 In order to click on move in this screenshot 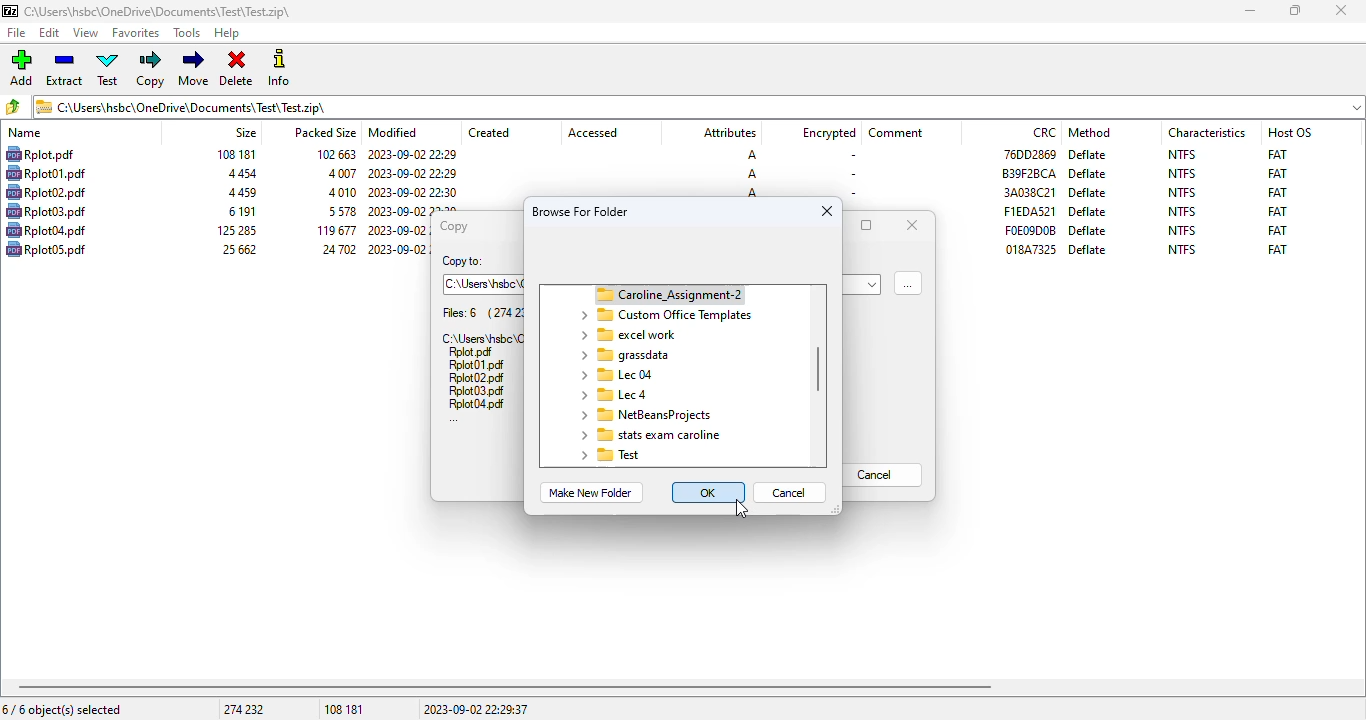, I will do `click(193, 68)`.